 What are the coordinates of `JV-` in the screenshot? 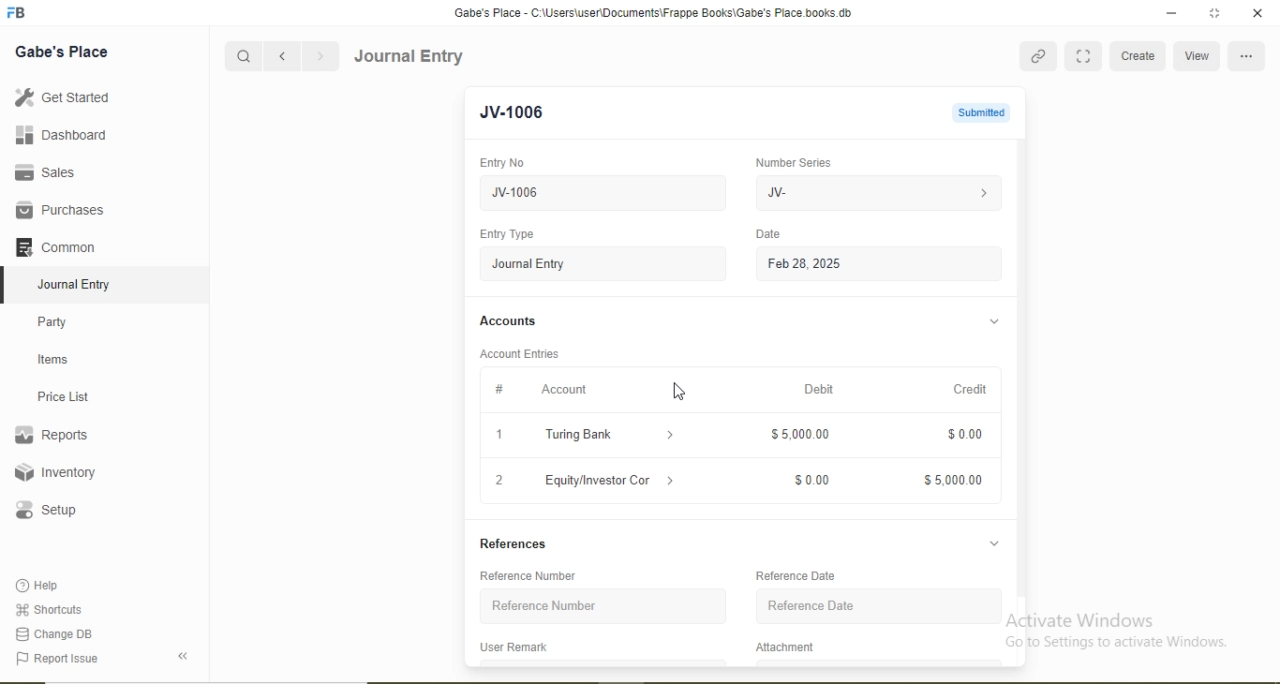 It's located at (777, 193).